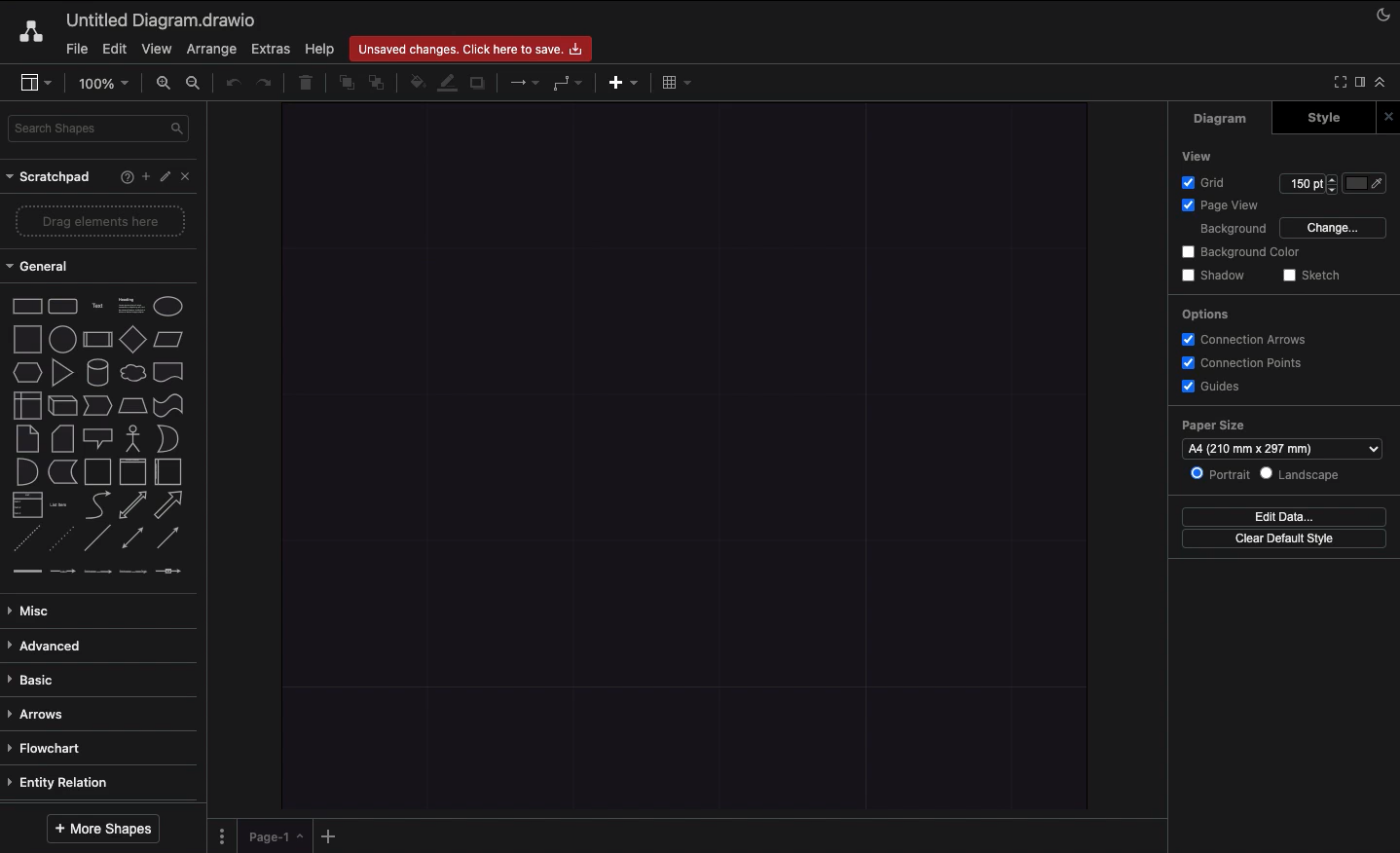  Describe the element at coordinates (378, 85) in the screenshot. I see `Move to back` at that location.